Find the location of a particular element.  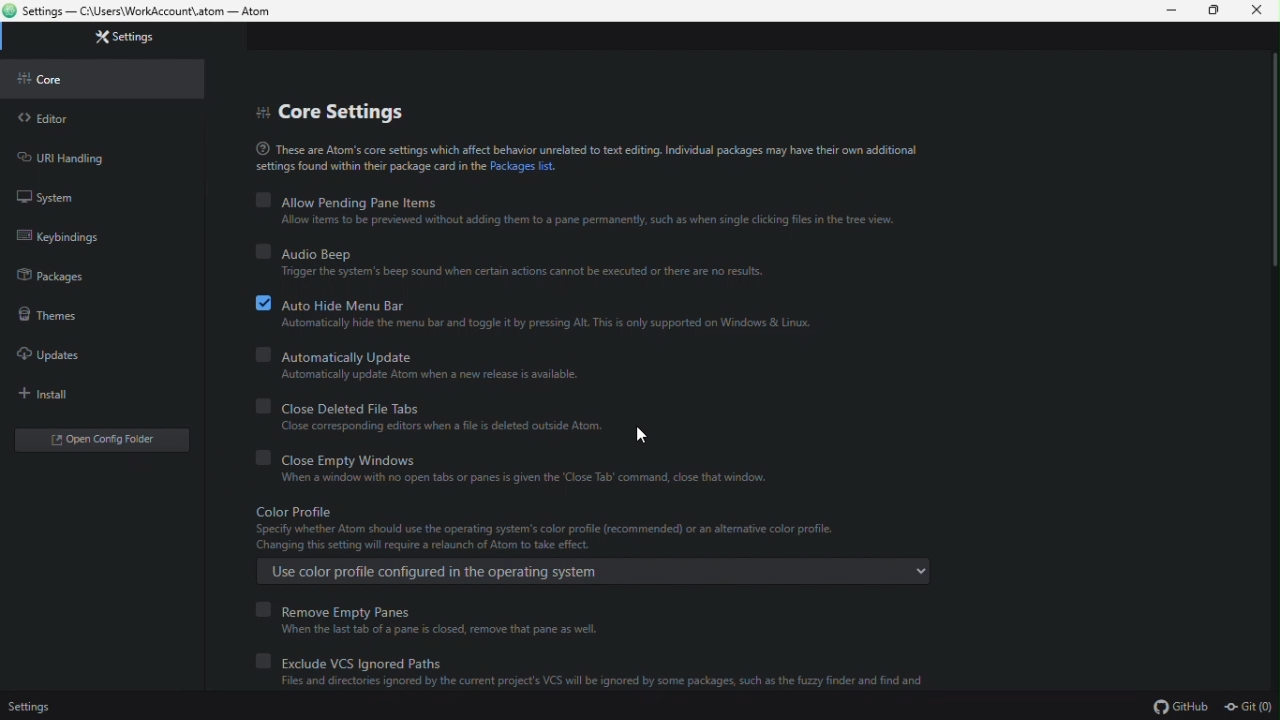

line explaining about atom's core settings is located at coordinates (595, 152).